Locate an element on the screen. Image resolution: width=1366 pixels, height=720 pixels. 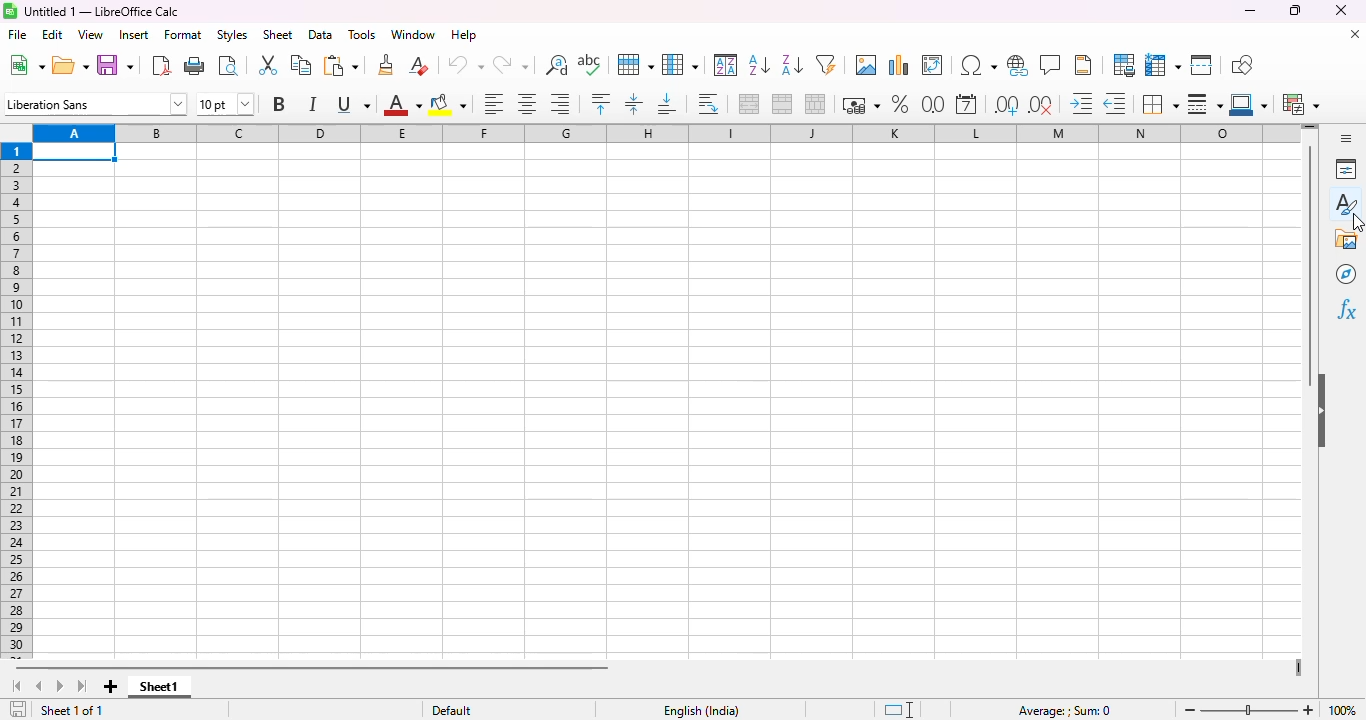
sheet 1 of 1 is located at coordinates (73, 710).